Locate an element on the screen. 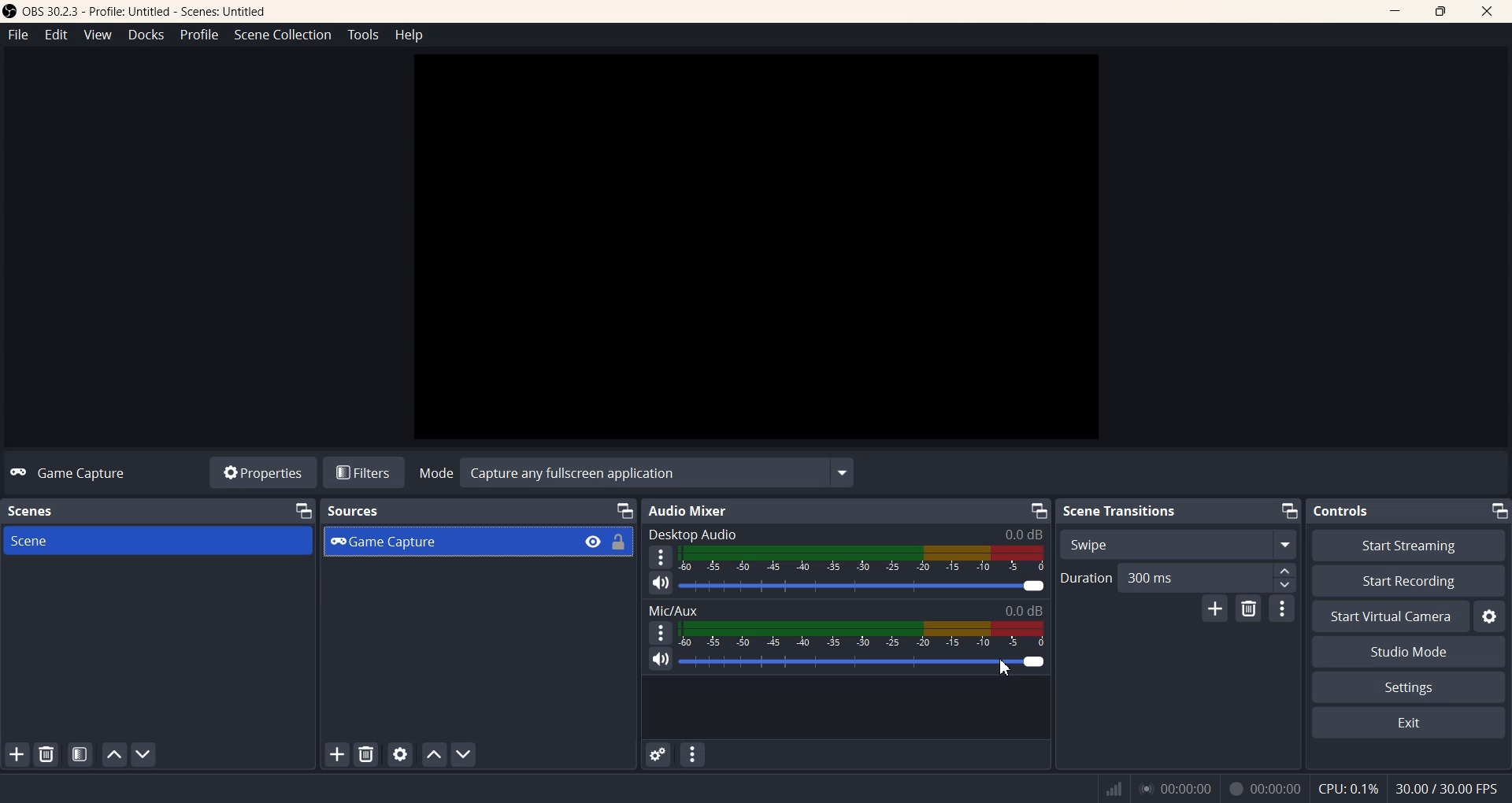  Duration is located at coordinates (1178, 578).